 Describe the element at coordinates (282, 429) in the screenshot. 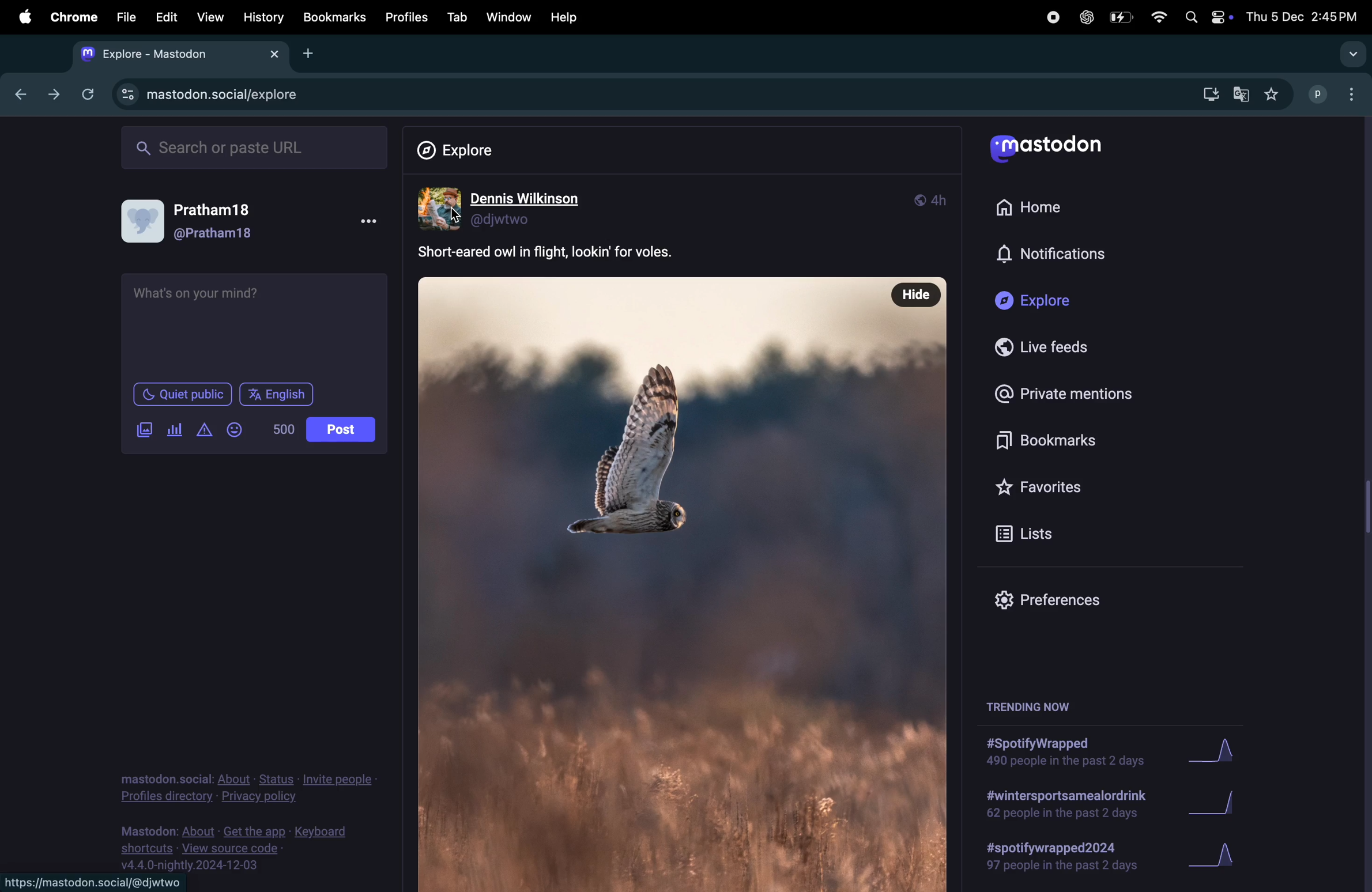

I see `500` at that location.